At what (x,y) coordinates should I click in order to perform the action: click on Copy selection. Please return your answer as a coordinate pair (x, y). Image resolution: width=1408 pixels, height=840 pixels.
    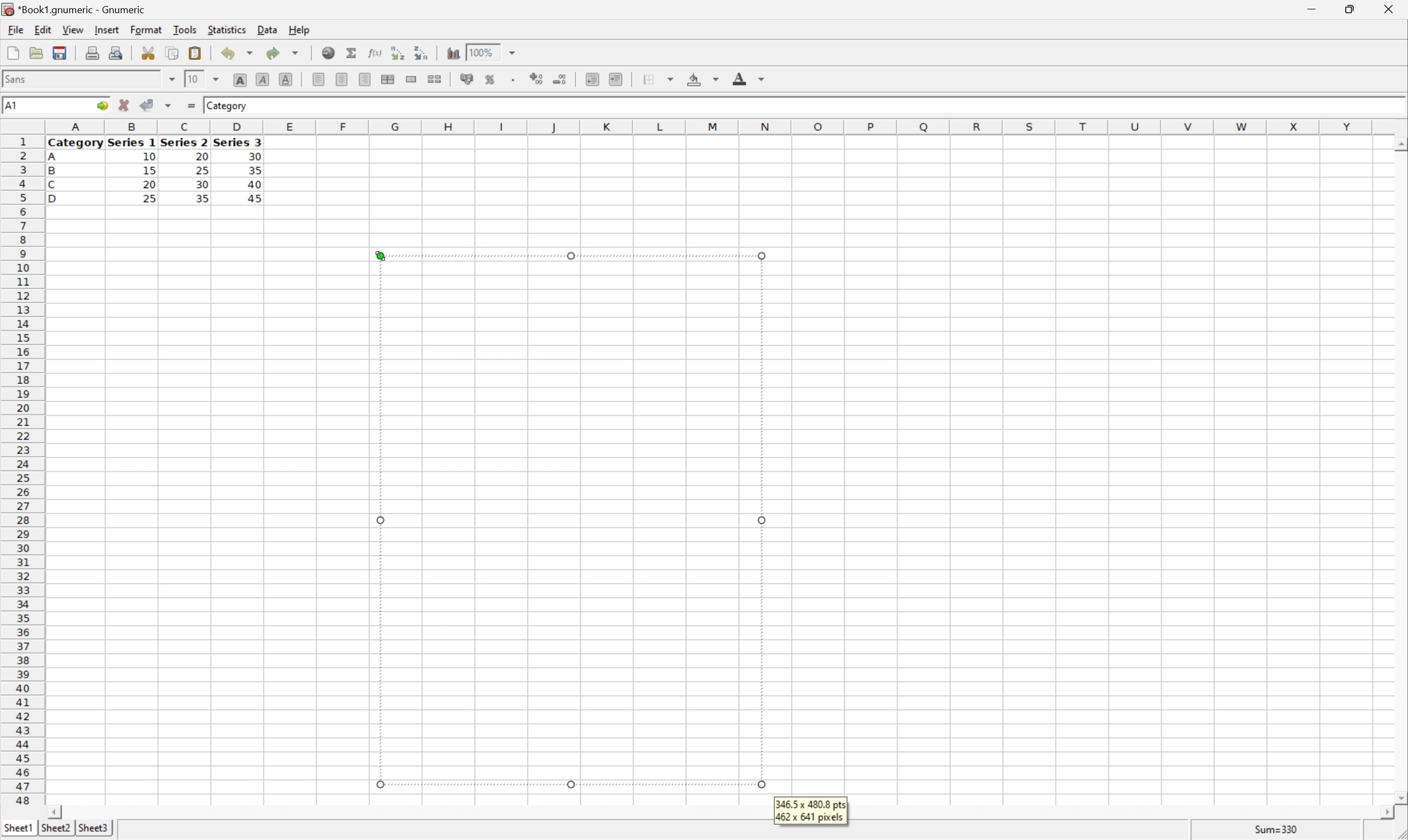
    Looking at the image, I should click on (173, 52).